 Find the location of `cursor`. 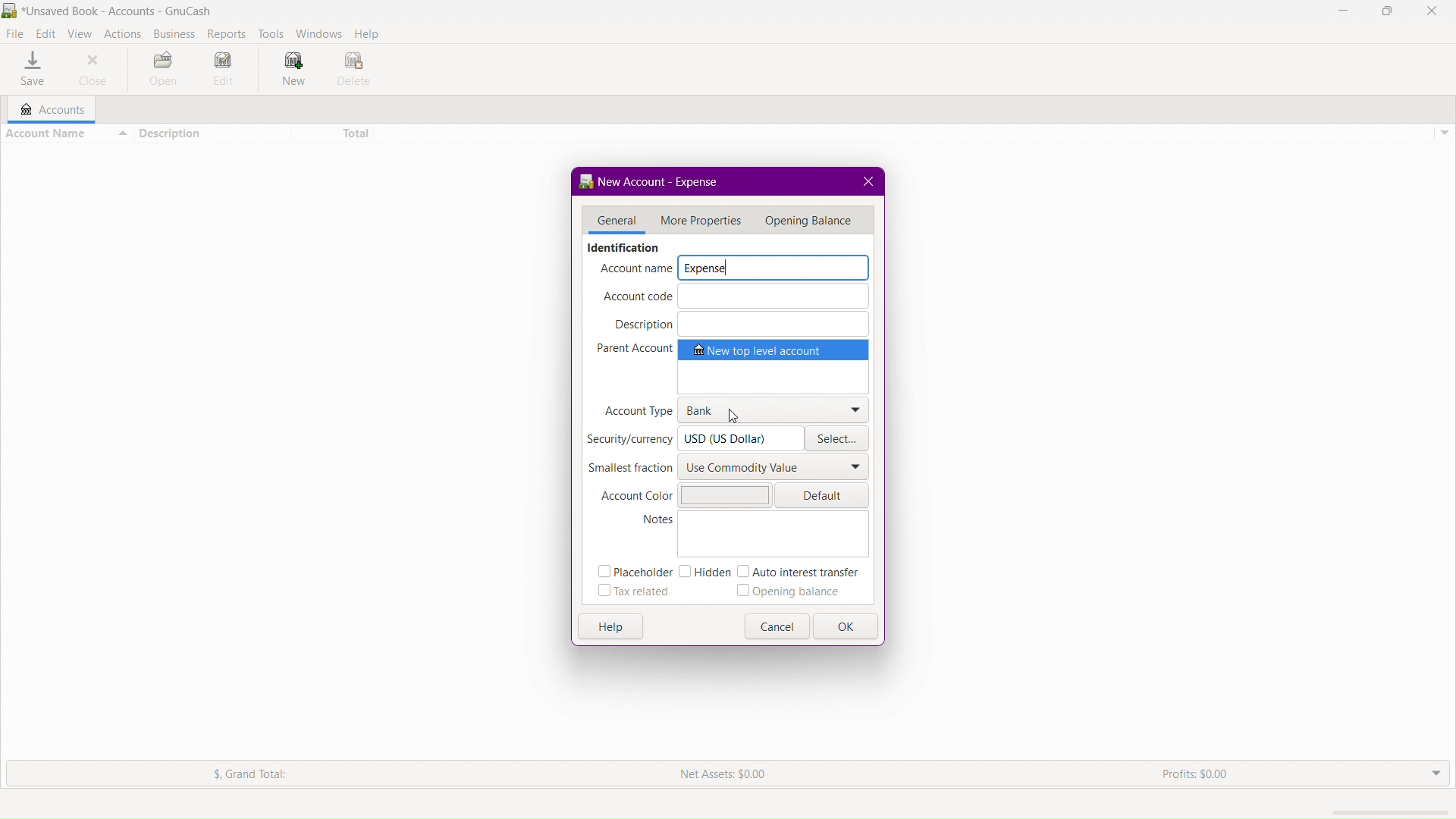

cursor is located at coordinates (736, 417).